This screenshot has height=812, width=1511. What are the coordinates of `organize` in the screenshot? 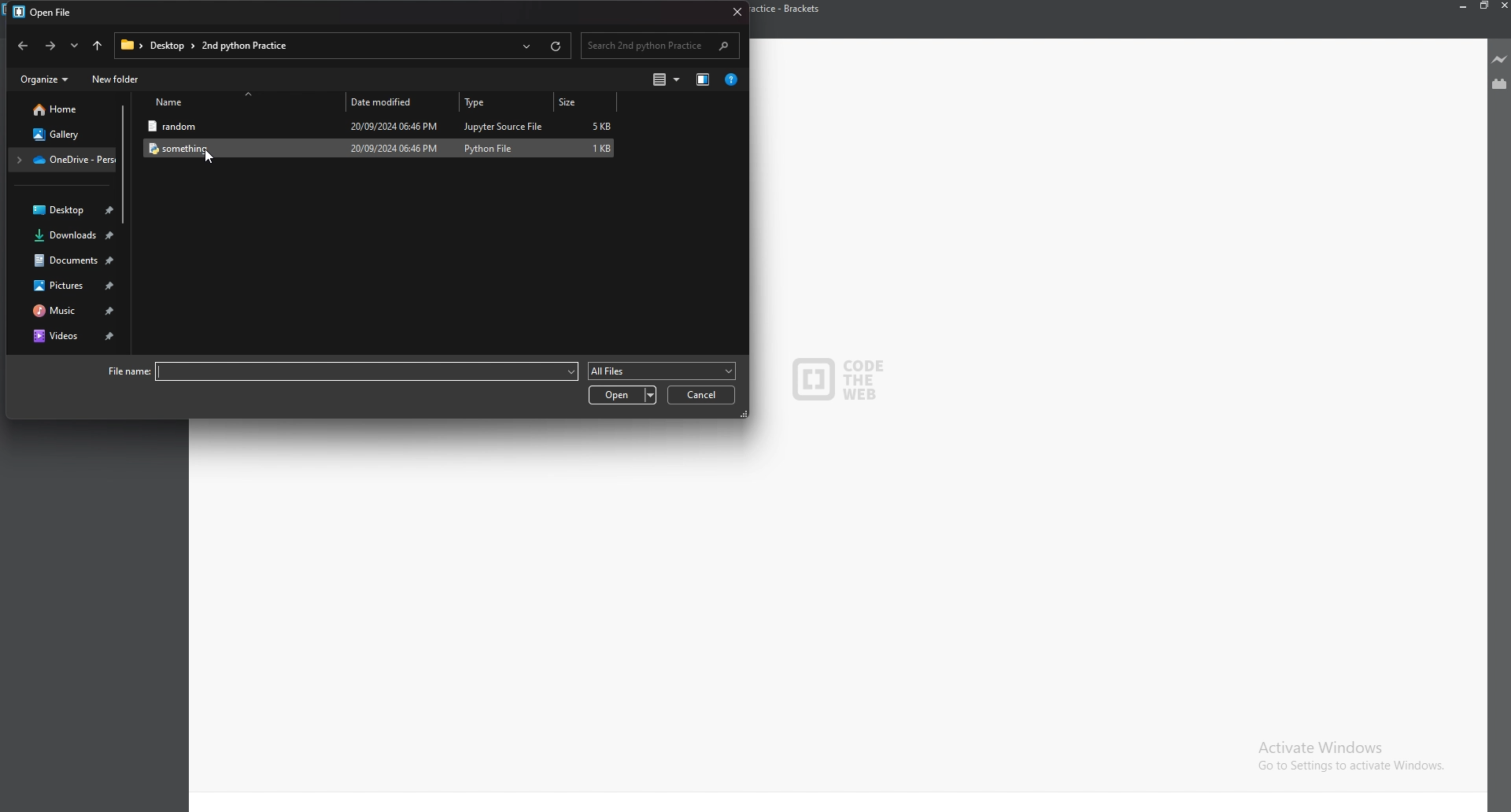 It's located at (46, 79).